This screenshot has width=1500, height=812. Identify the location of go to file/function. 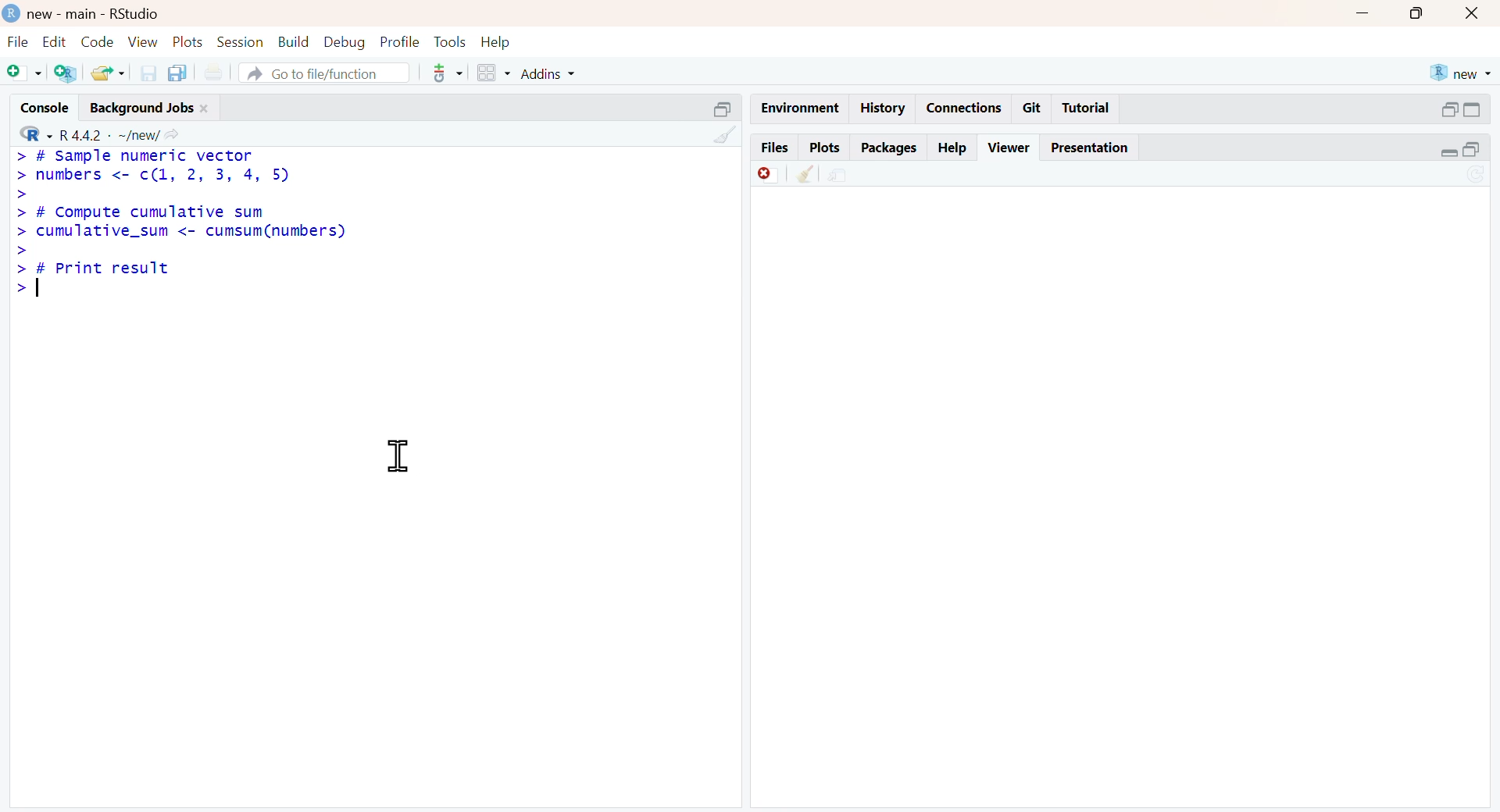
(325, 72).